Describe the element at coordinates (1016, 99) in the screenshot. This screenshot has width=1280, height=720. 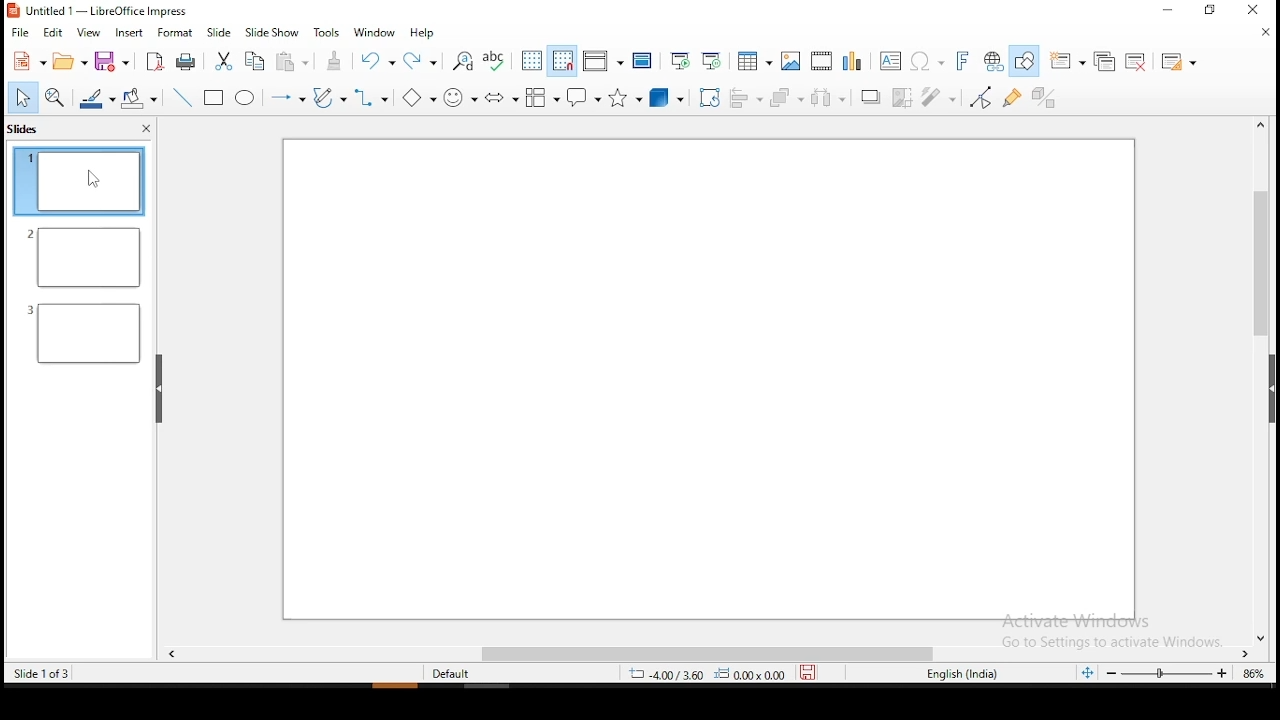
I see `show gluepoint functions` at that location.